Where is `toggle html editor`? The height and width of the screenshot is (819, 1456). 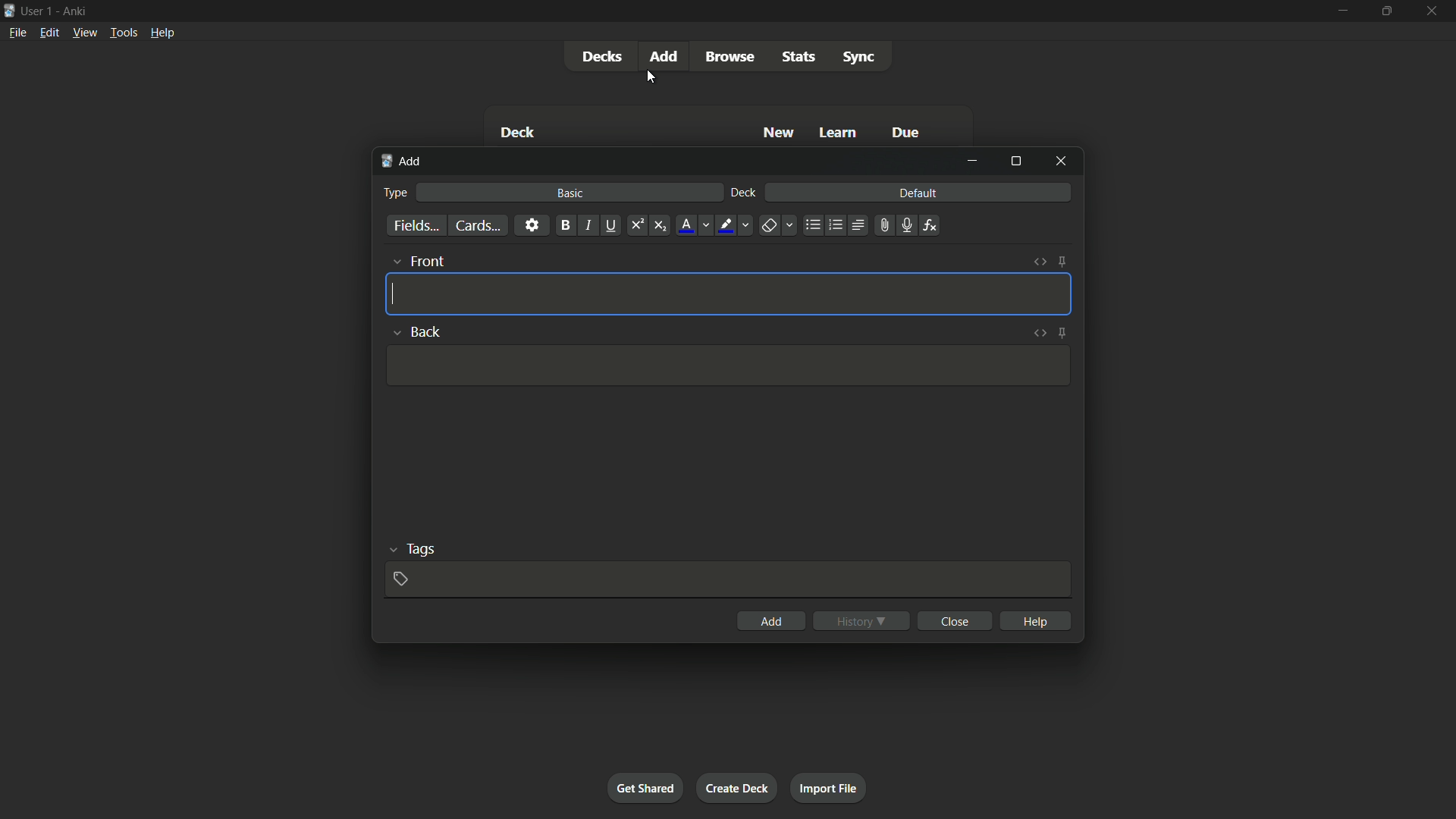
toggle html editor is located at coordinates (1040, 331).